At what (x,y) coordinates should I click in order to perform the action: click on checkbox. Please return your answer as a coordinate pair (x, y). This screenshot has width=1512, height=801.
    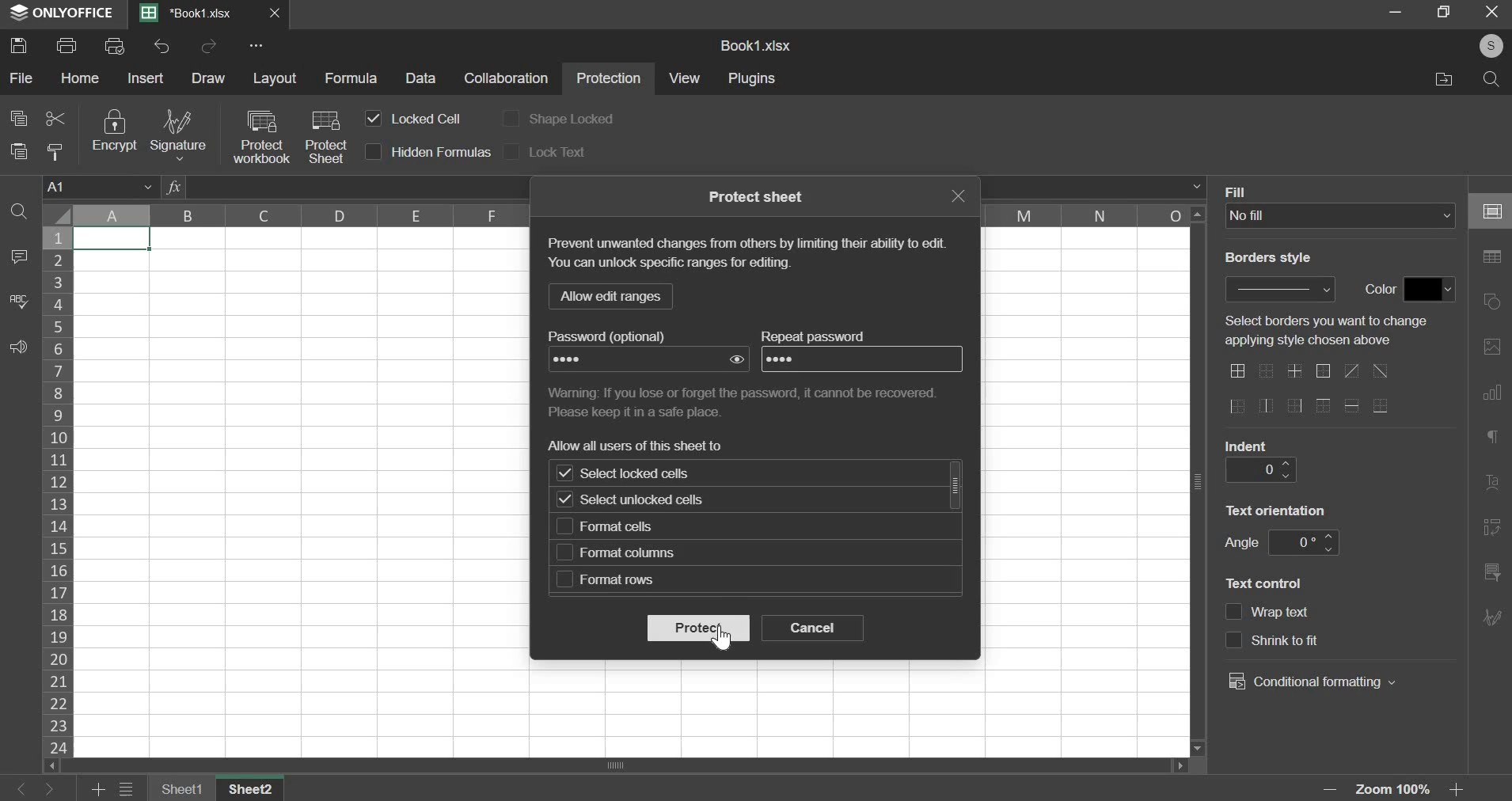
    Looking at the image, I should click on (514, 150).